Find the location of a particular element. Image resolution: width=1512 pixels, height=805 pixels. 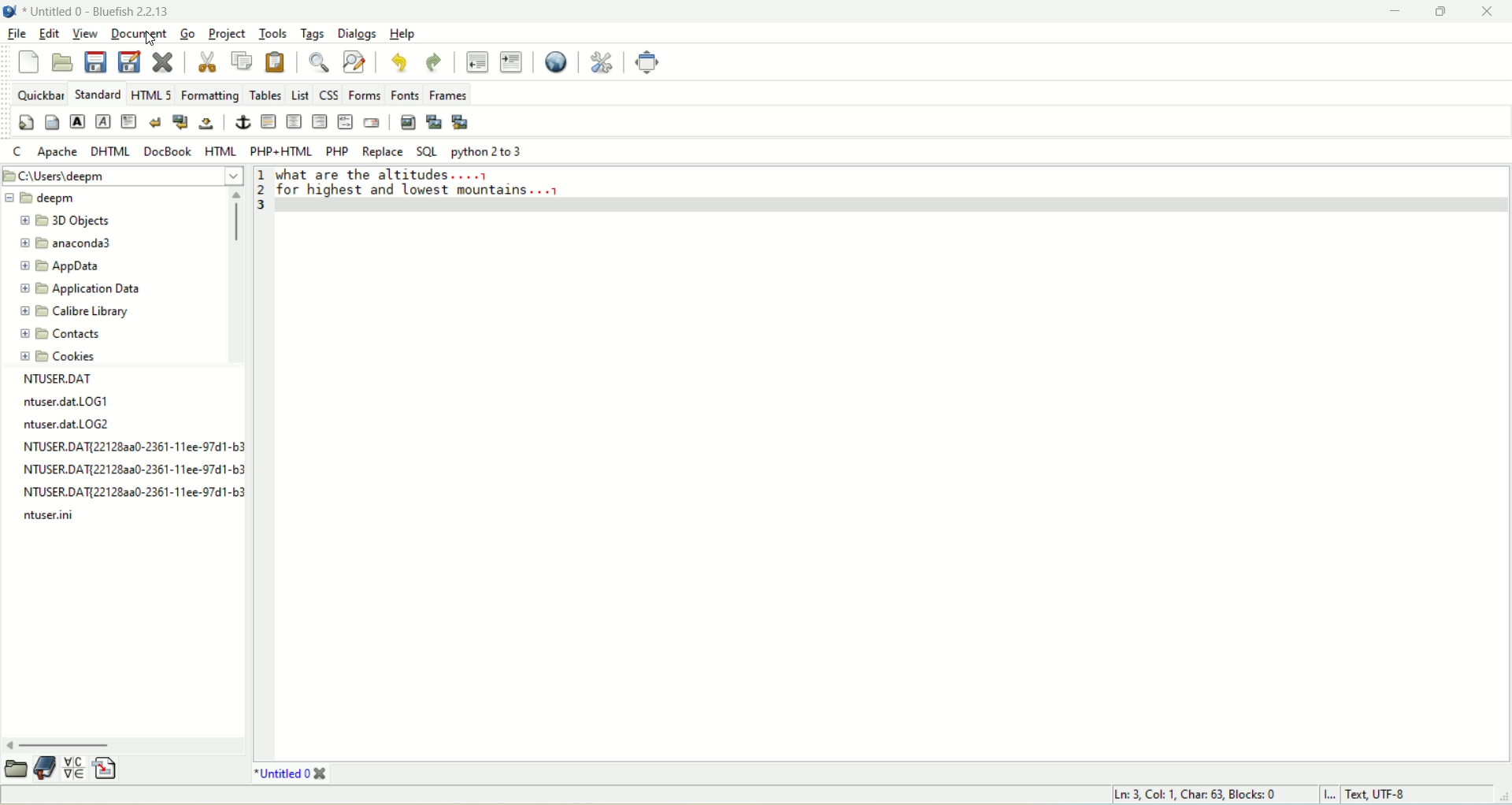

emphasize is located at coordinates (102, 122).